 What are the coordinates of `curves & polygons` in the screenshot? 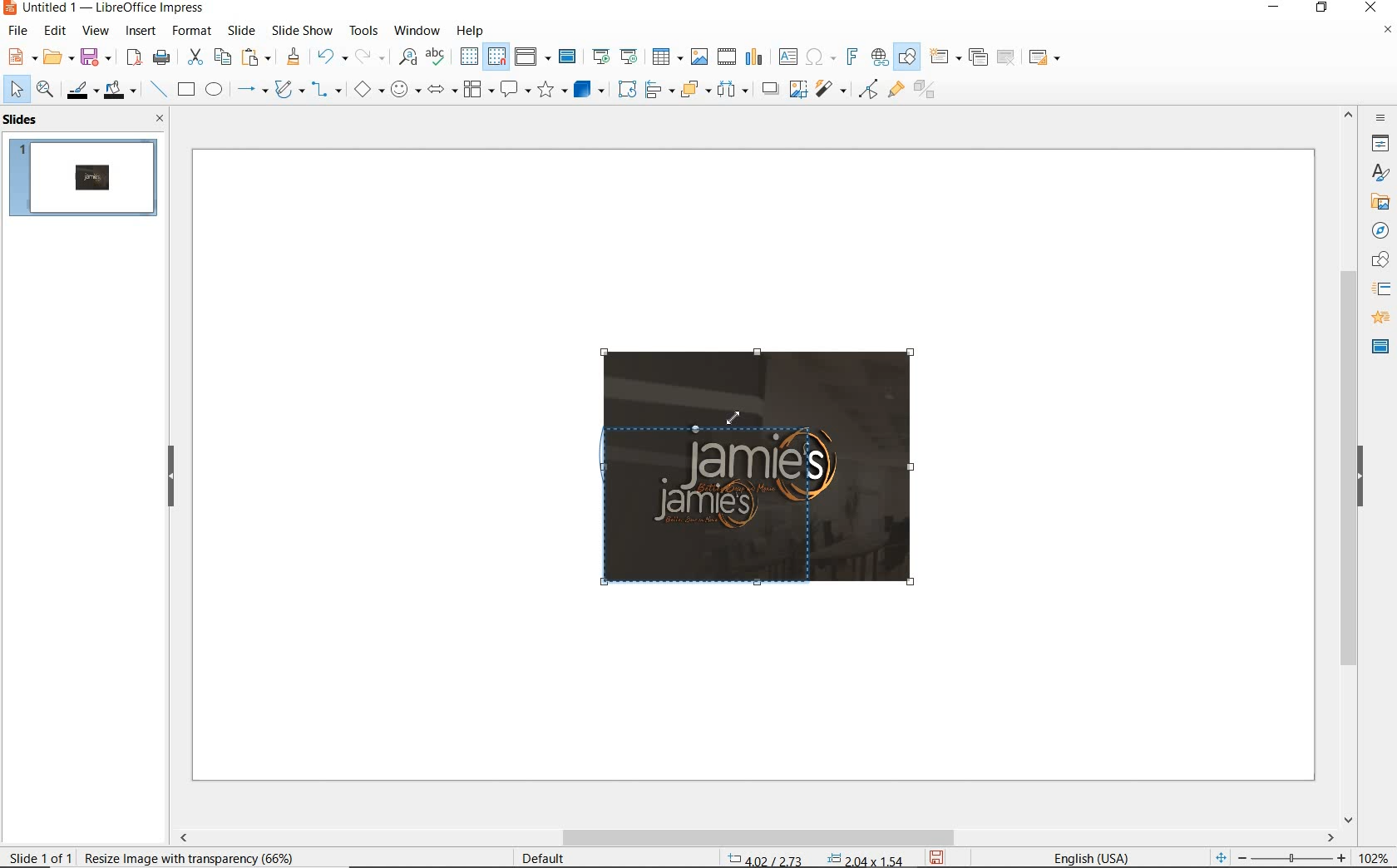 It's located at (289, 90).